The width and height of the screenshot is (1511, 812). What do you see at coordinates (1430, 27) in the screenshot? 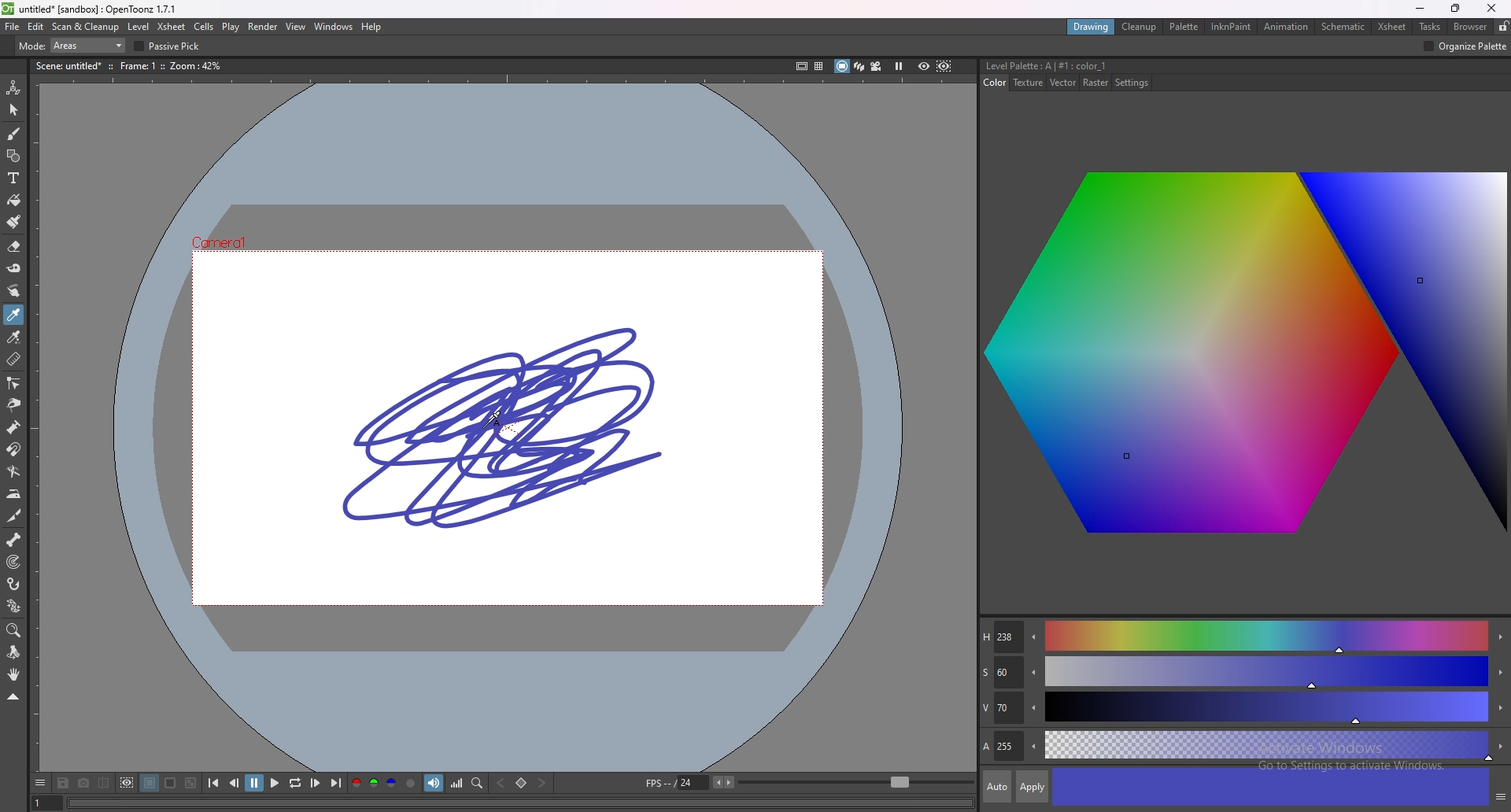
I see `tasks` at bounding box center [1430, 27].